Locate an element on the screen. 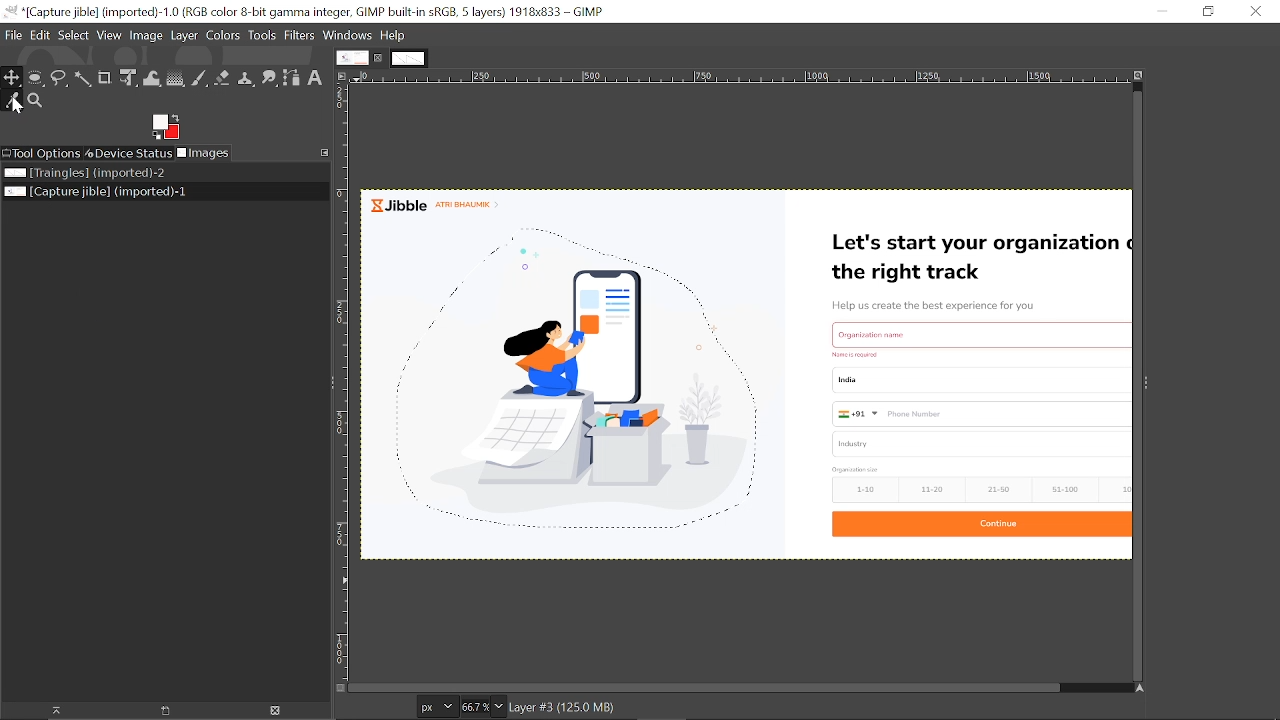 The width and height of the screenshot is (1280, 720). Image file titled "Traingle" is located at coordinates (158, 172).